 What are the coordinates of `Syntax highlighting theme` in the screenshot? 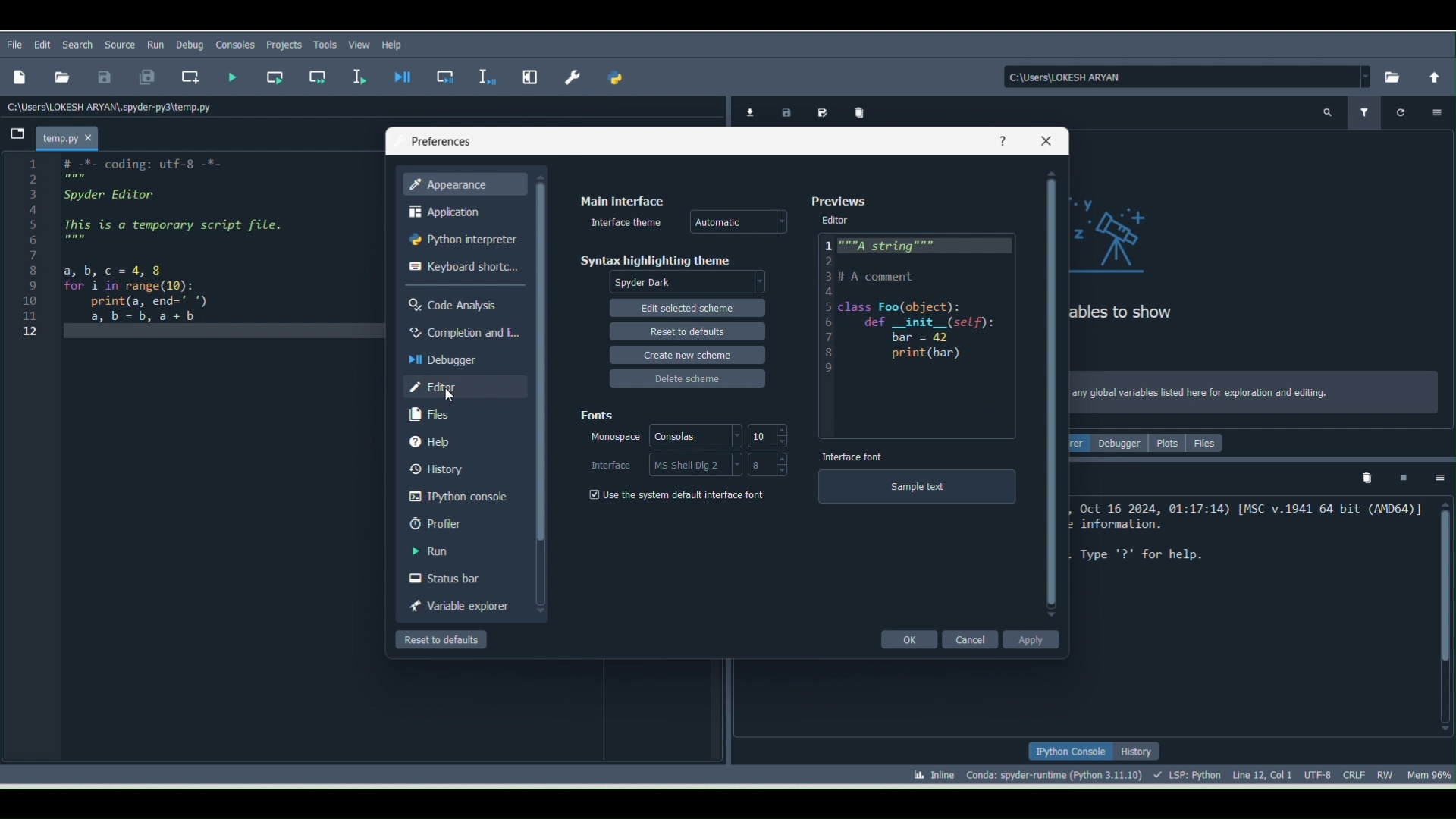 It's located at (654, 257).